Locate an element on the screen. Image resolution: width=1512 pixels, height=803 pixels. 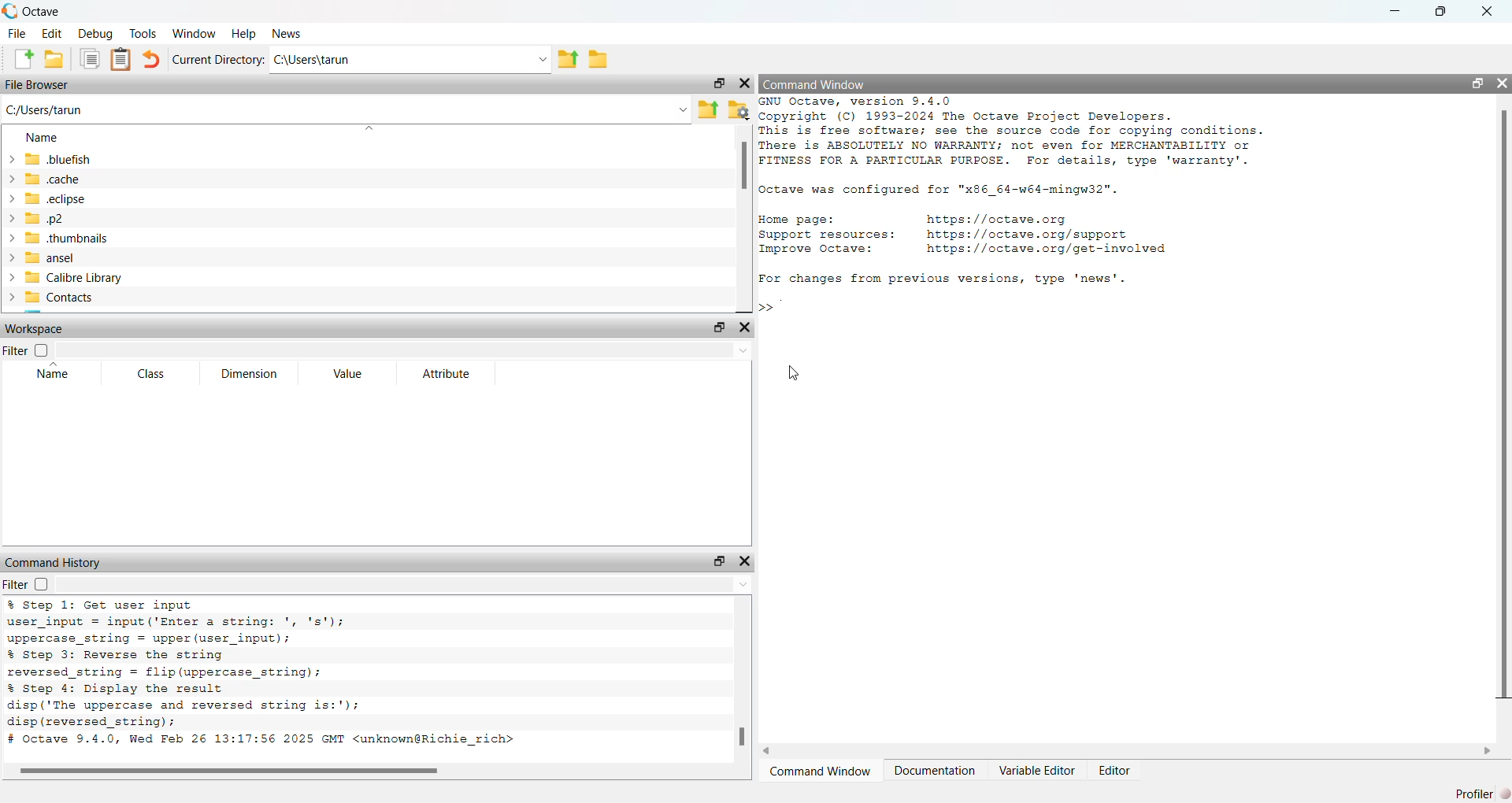
undo is located at coordinates (150, 61).